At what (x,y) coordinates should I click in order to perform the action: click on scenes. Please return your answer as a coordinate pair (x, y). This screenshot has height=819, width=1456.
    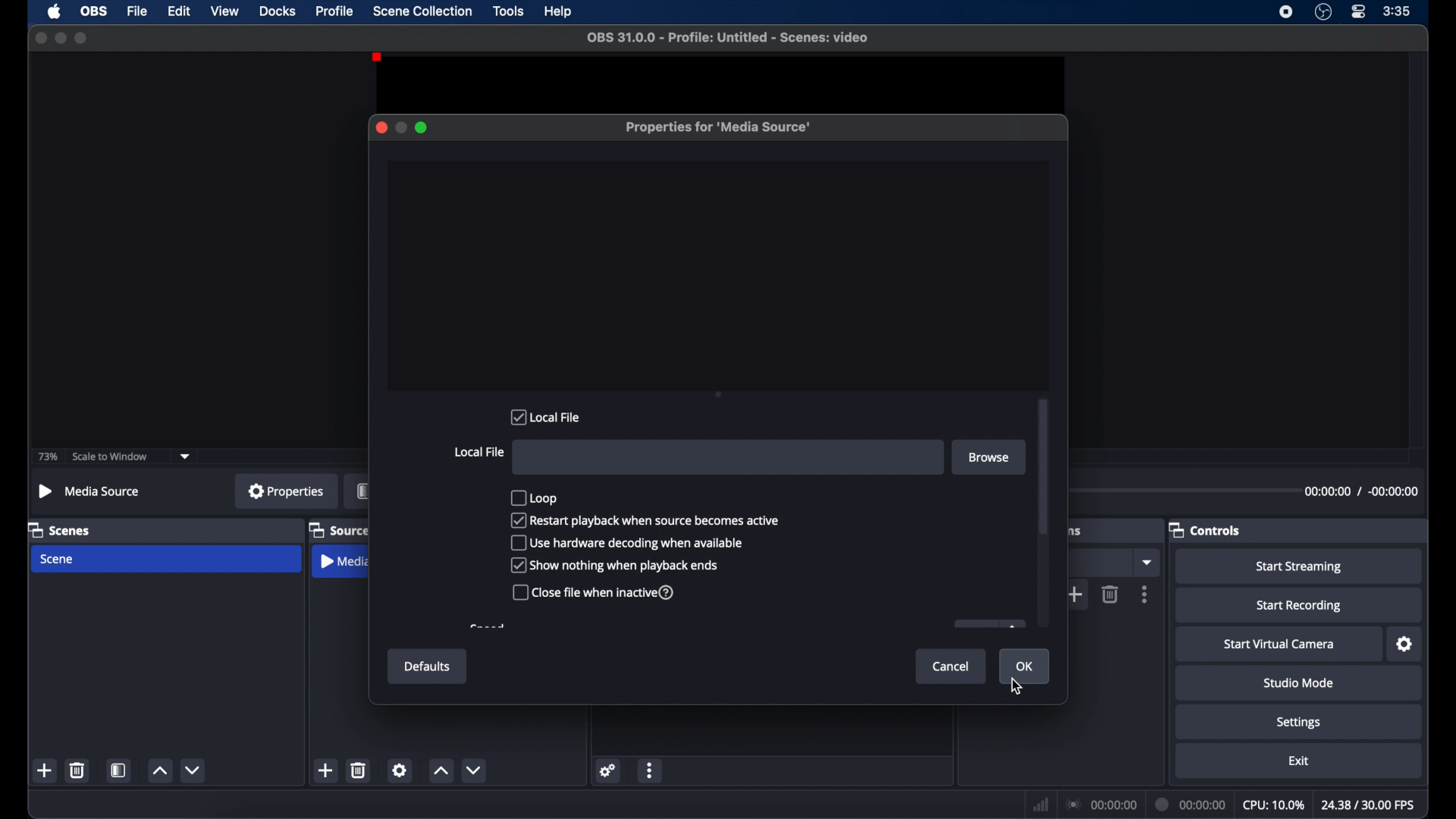
    Looking at the image, I should click on (59, 529).